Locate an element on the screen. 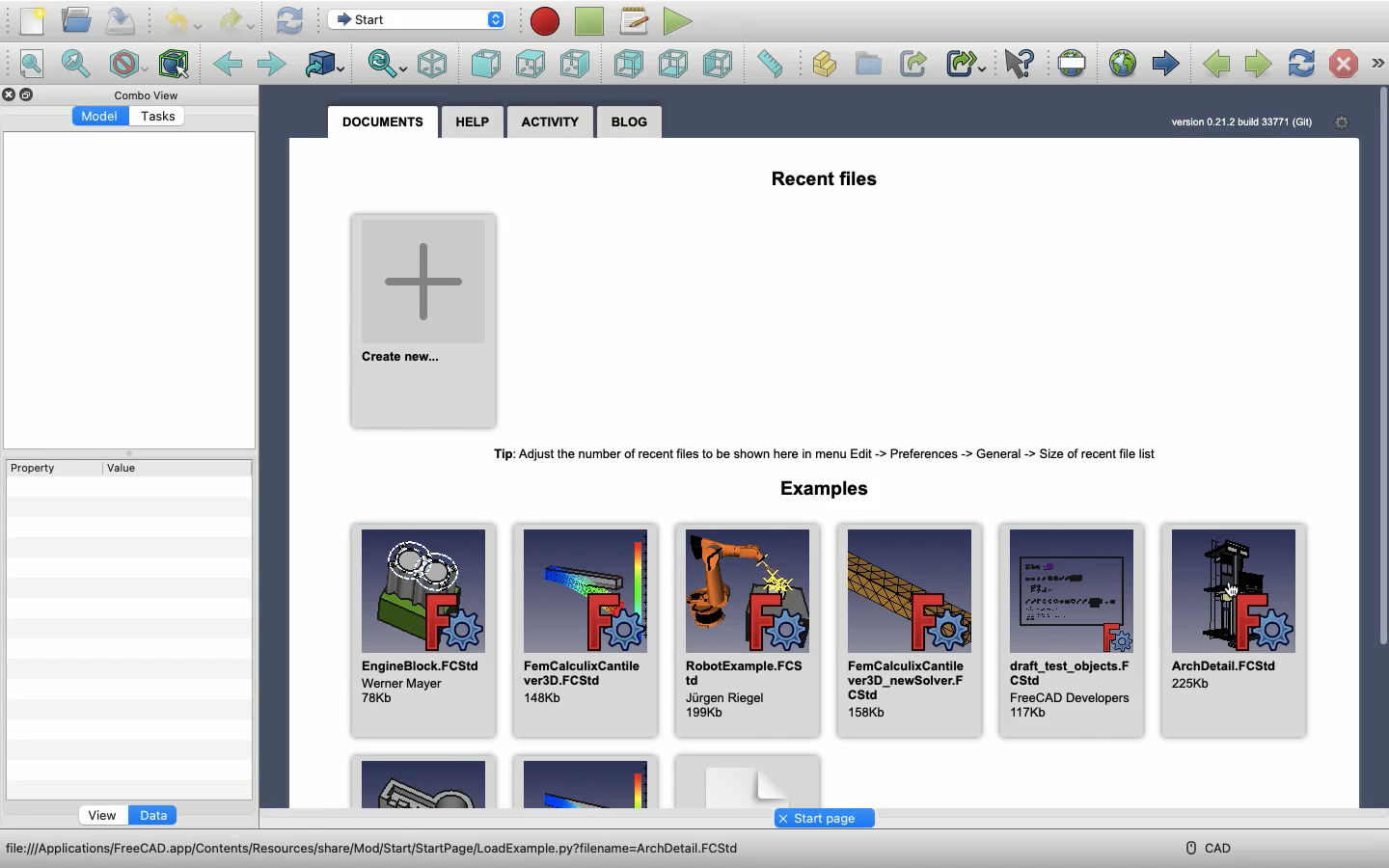 The height and width of the screenshot is (868, 1389). Set URL is located at coordinates (1070, 63).